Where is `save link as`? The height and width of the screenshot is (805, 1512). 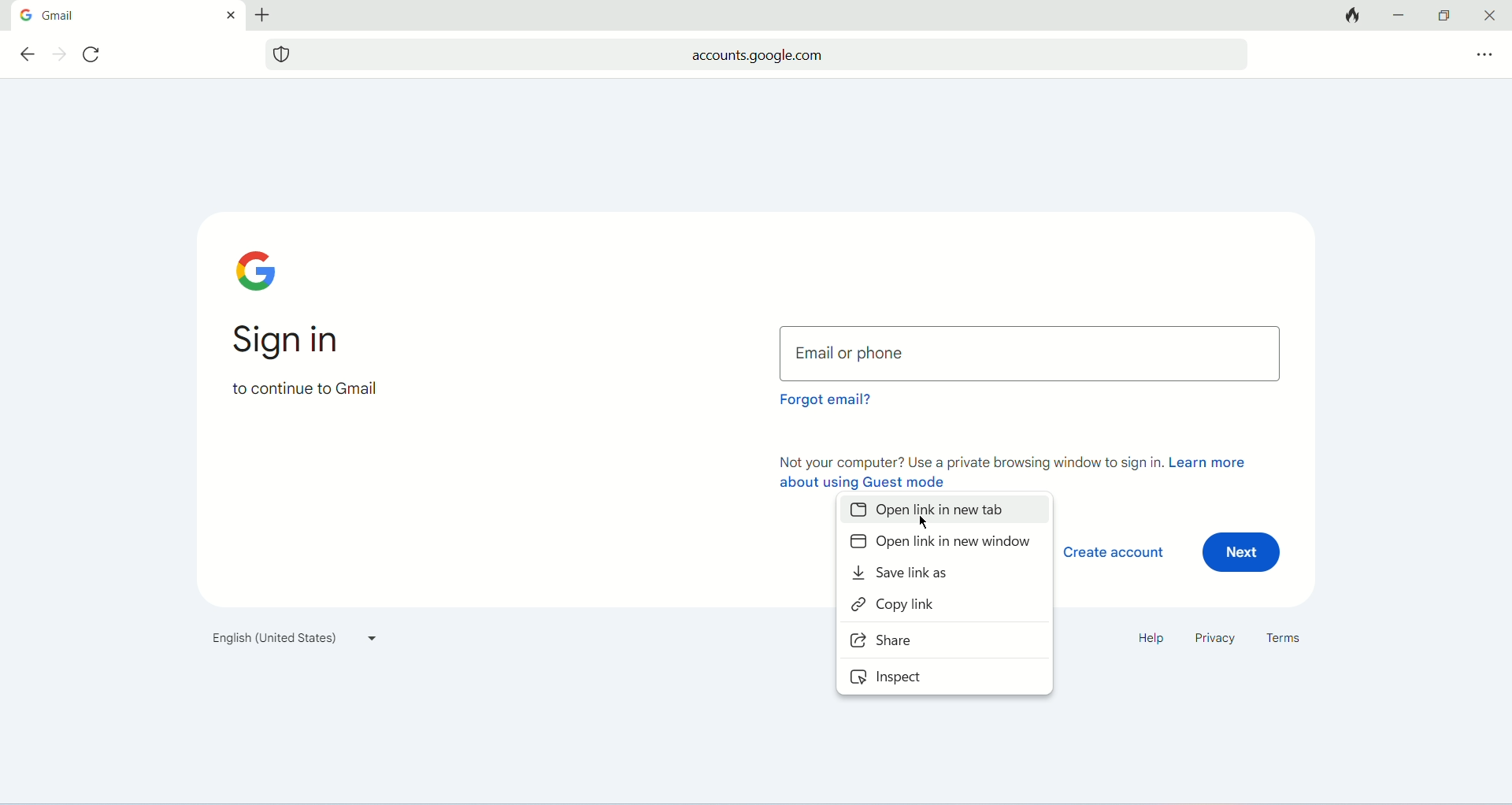
save link as is located at coordinates (902, 573).